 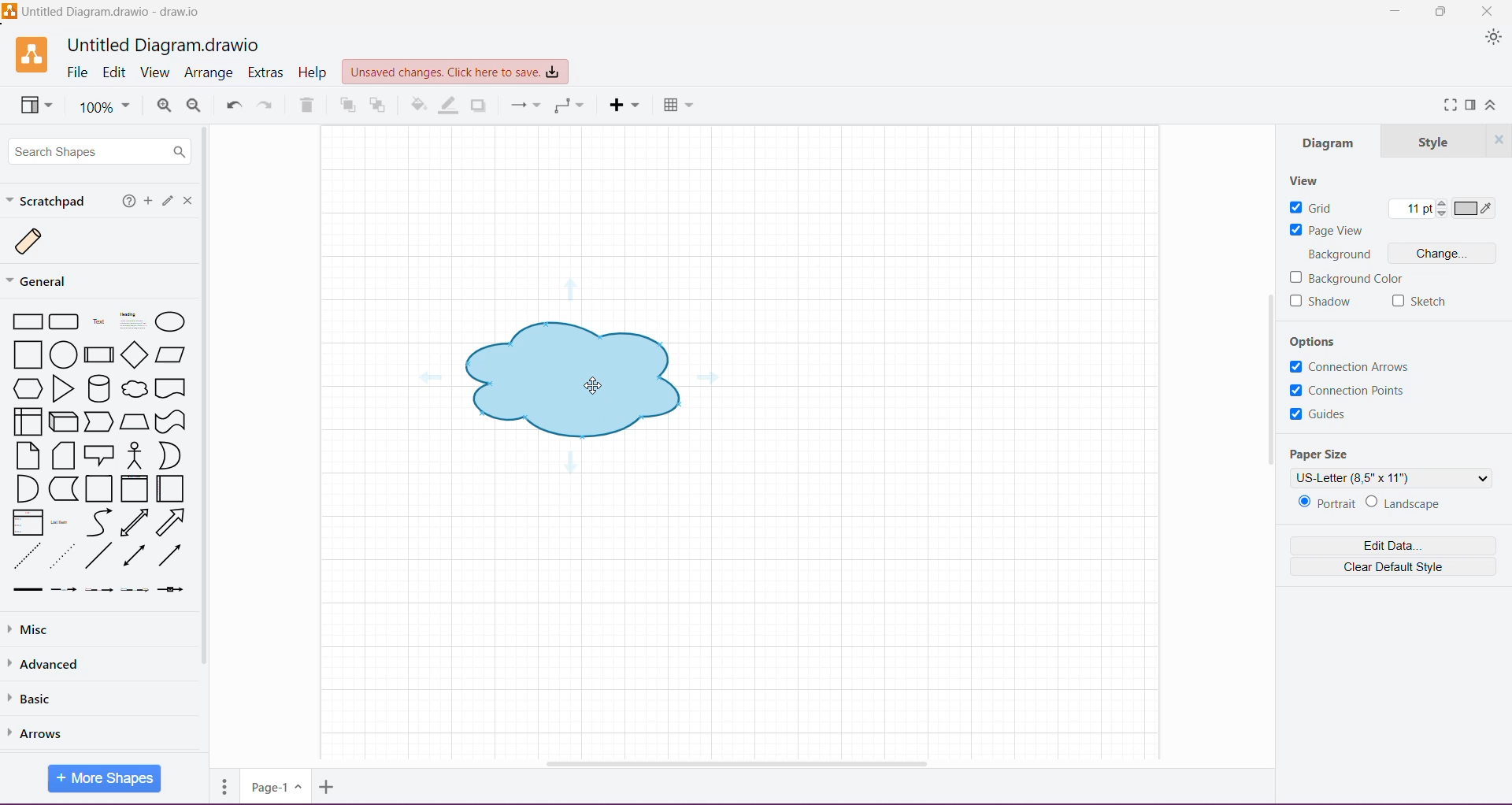 I want to click on Search Shapes, so click(x=98, y=150).